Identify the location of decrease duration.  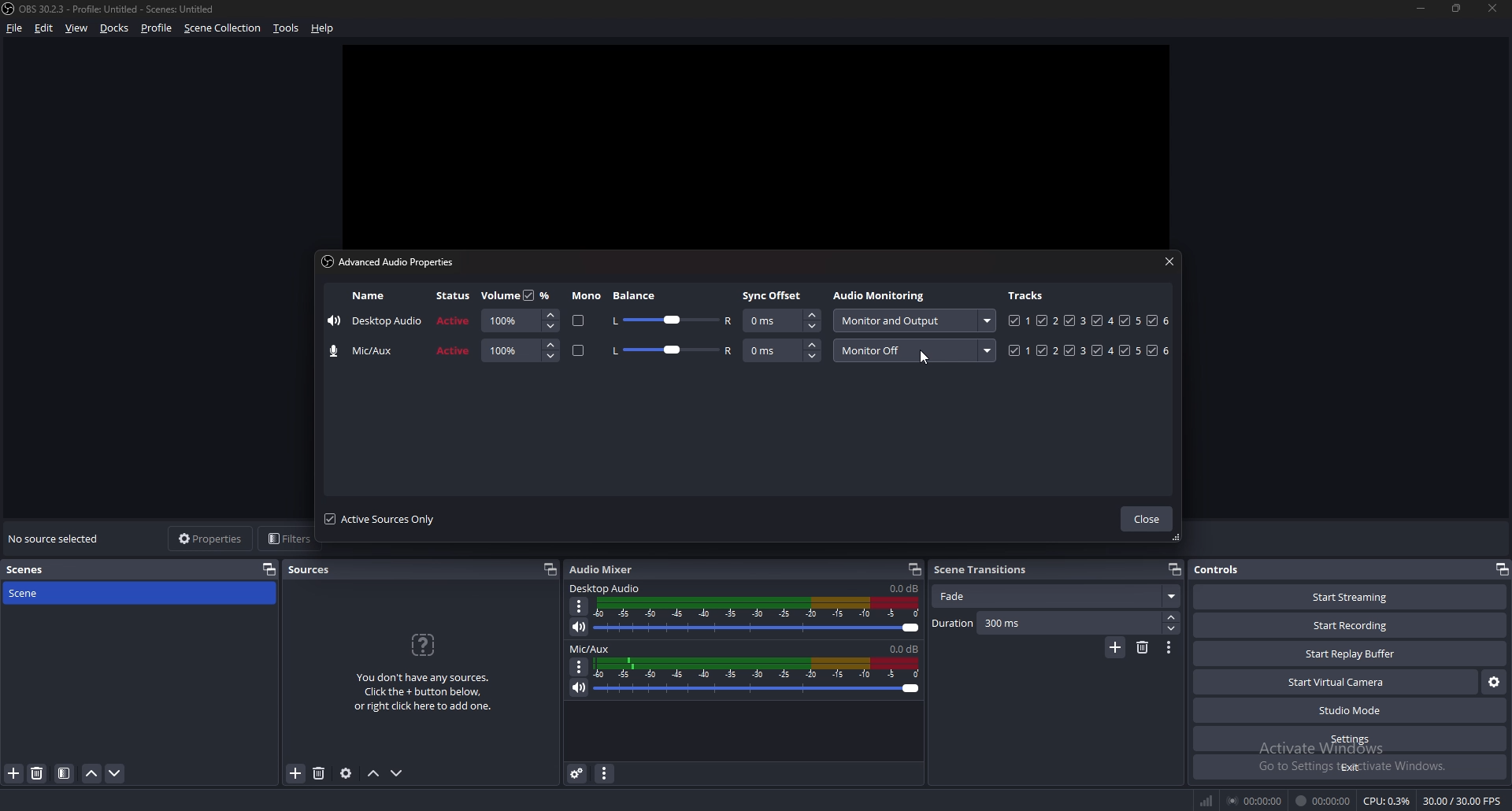
(1173, 628).